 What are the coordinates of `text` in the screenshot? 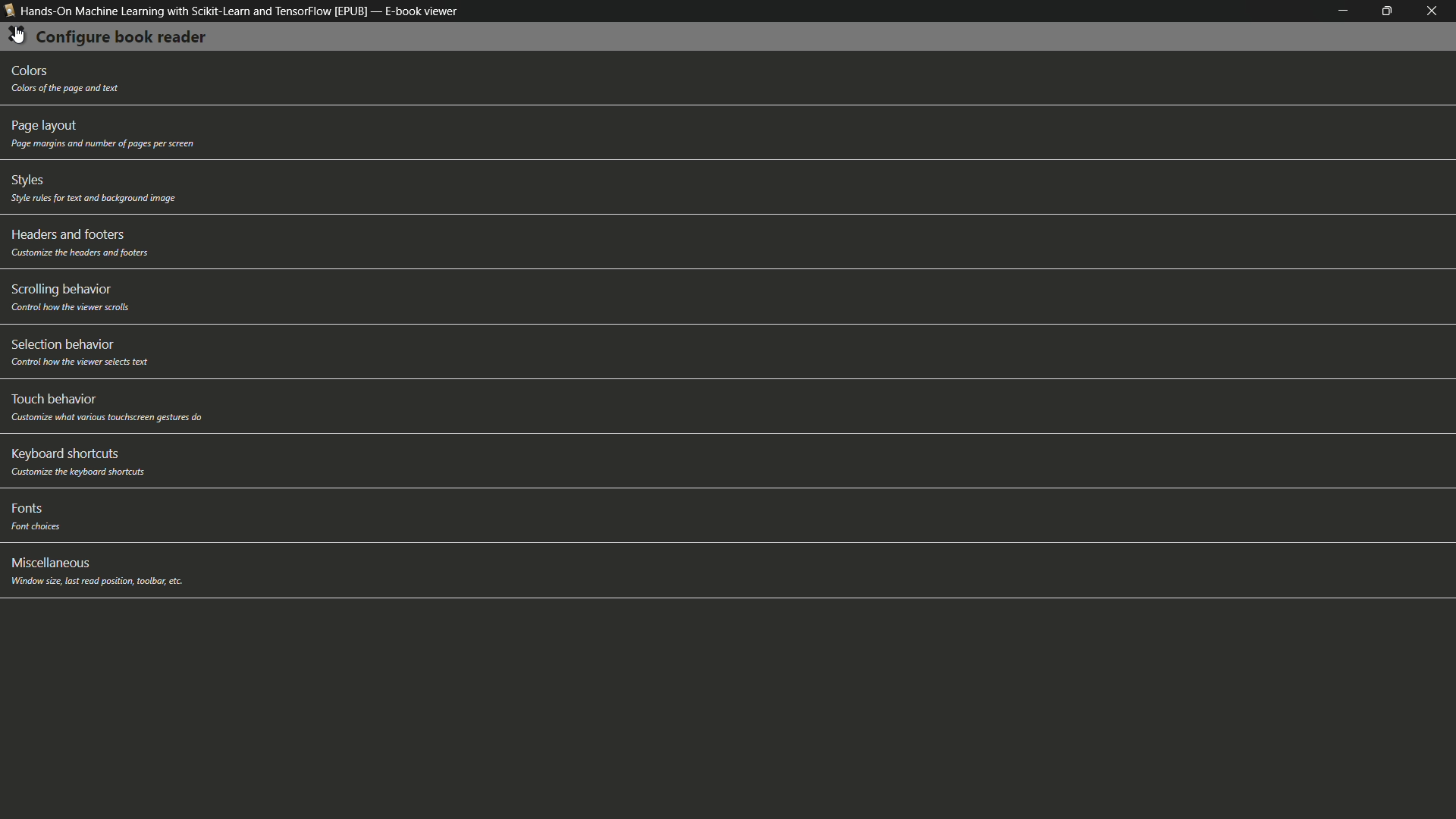 It's located at (83, 362).